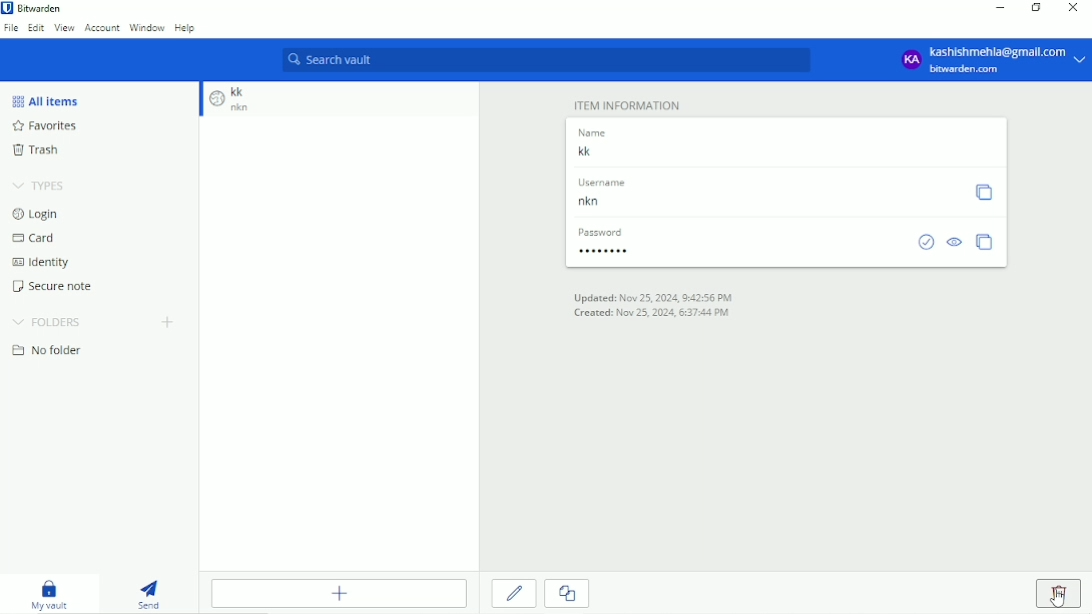 Image resolution: width=1092 pixels, height=614 pixels. Describe the element at coordinates (545, 60) in the screenshot. I see `Search vault` at that location.